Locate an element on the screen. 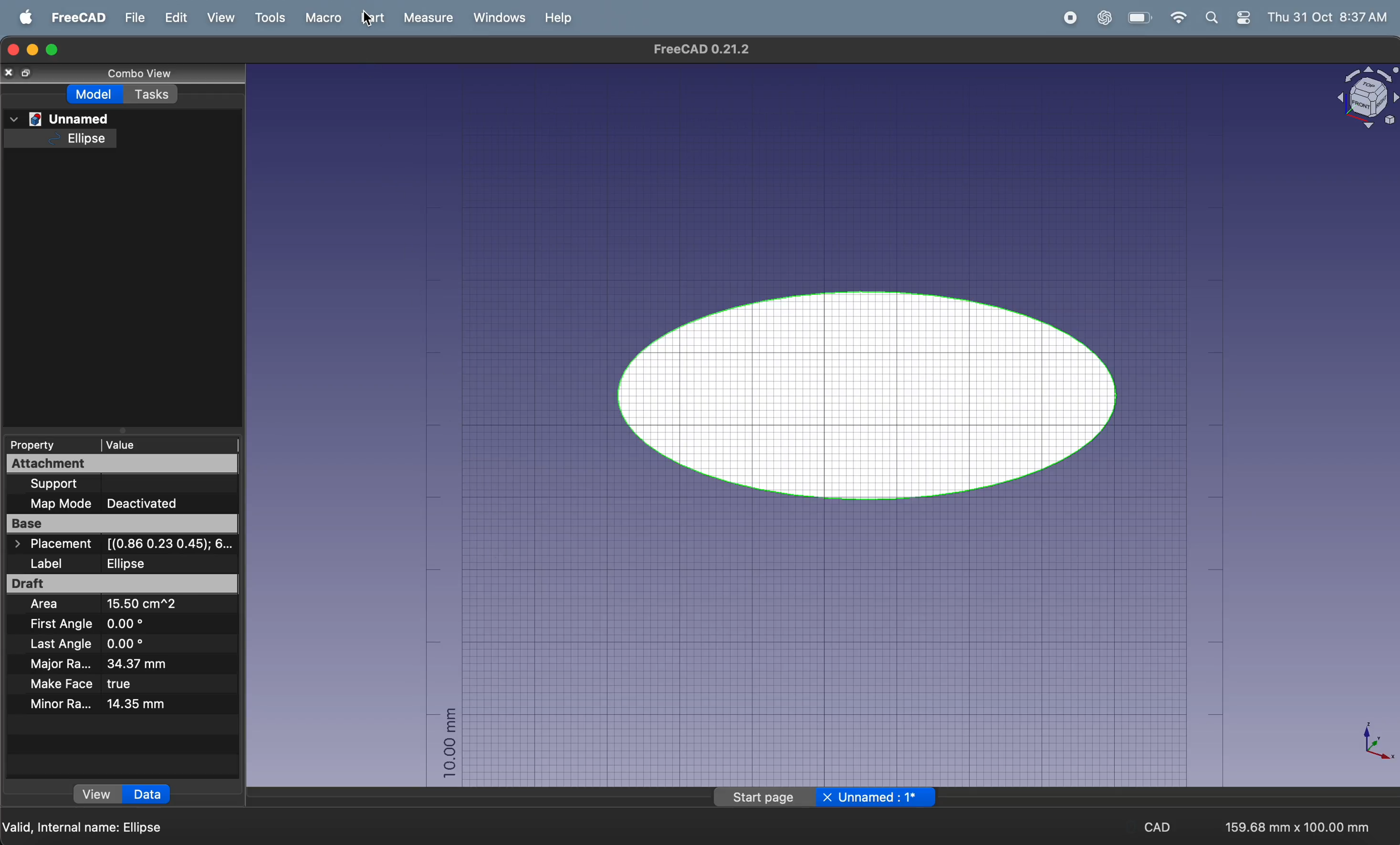  Map mode is located at coordinates (61, 505).